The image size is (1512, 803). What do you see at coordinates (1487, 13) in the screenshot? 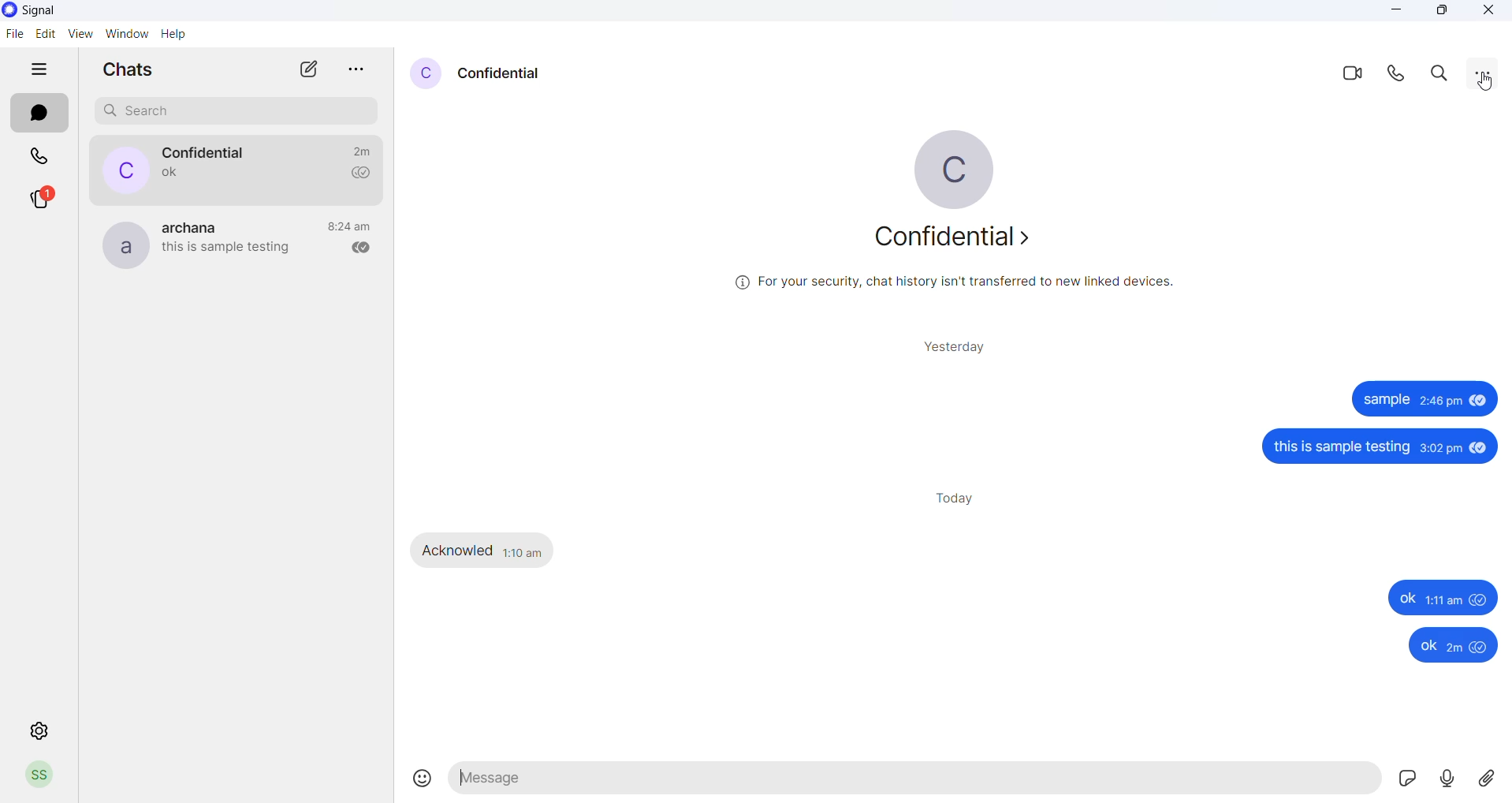
I see `close` at bounding box center [1487, 13].